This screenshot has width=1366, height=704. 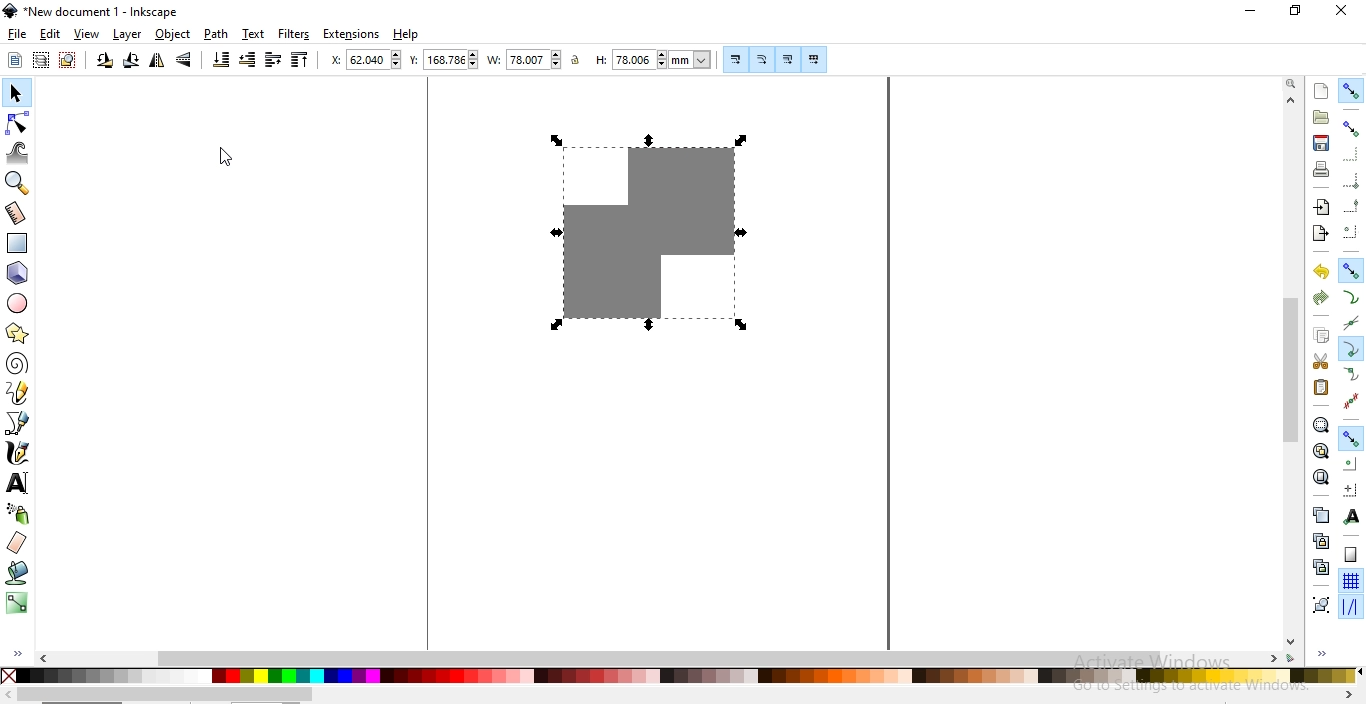 I want to click on snap guides, so click(x=1350, y=607).